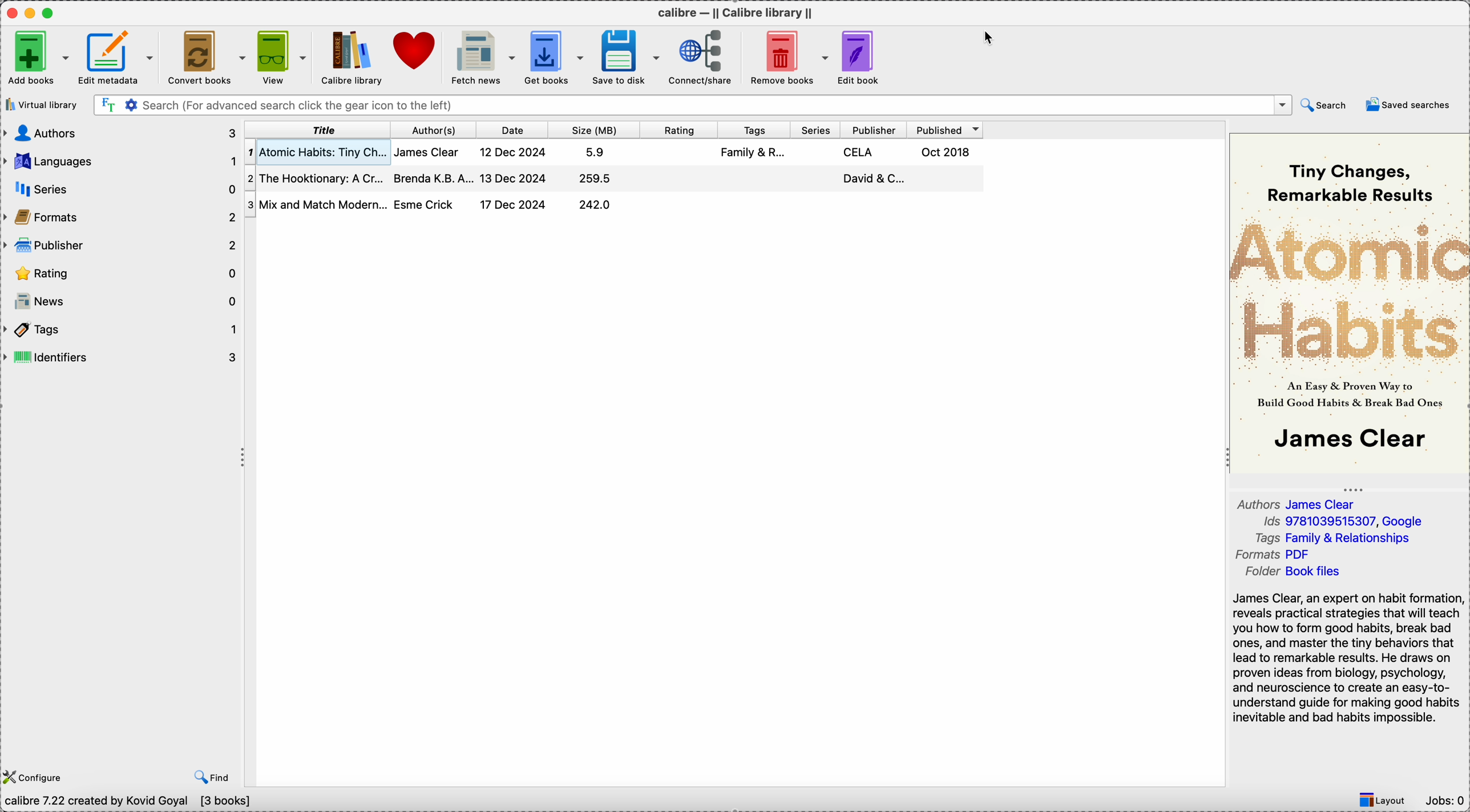 The height and width of the screenshot is (812, 1470). Describe the element at coordinates (1338, 540) in the screenshot. I see `Tags Familly & Relationships` at that location.